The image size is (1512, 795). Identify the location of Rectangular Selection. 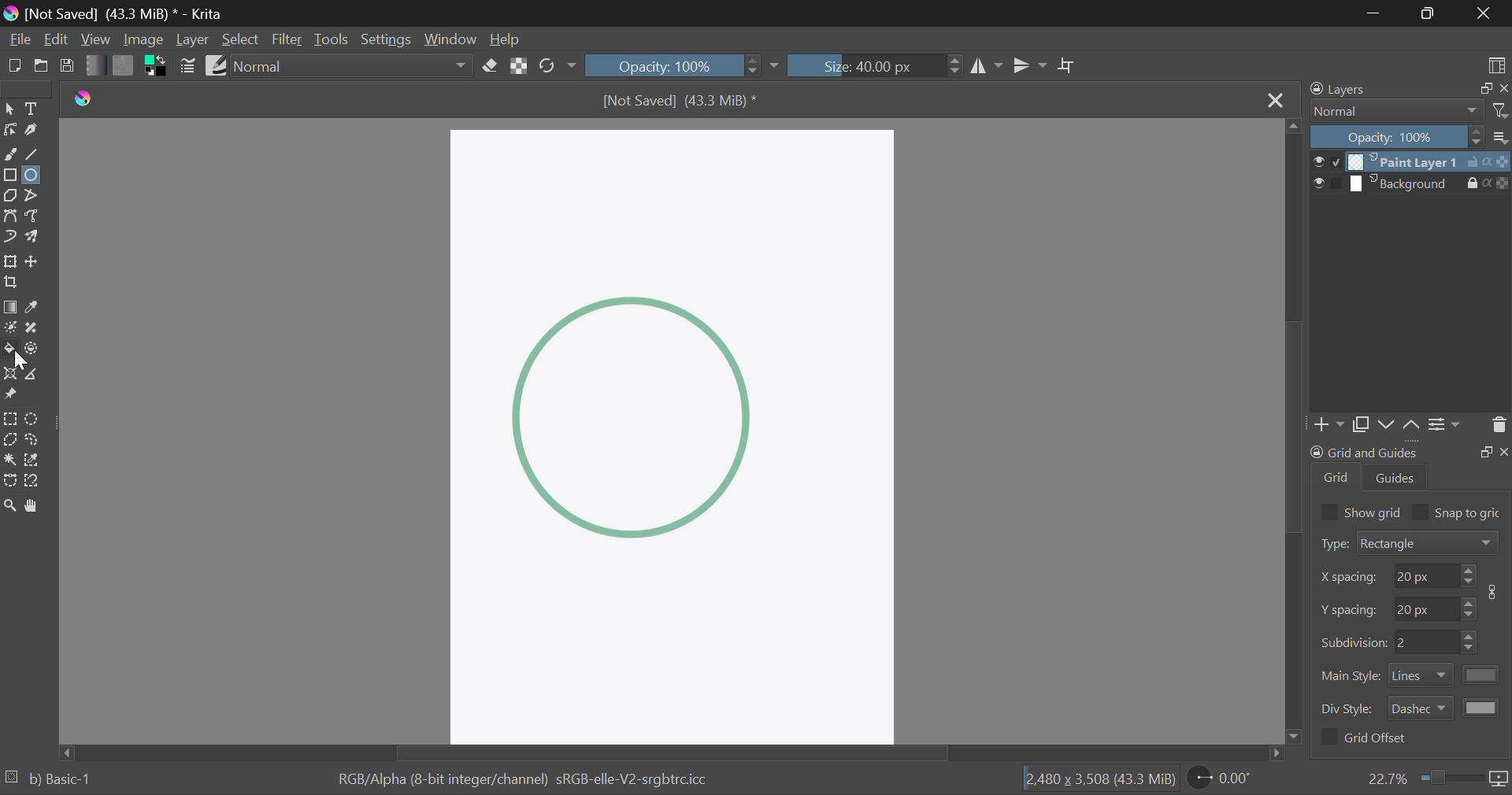
(9, 419).